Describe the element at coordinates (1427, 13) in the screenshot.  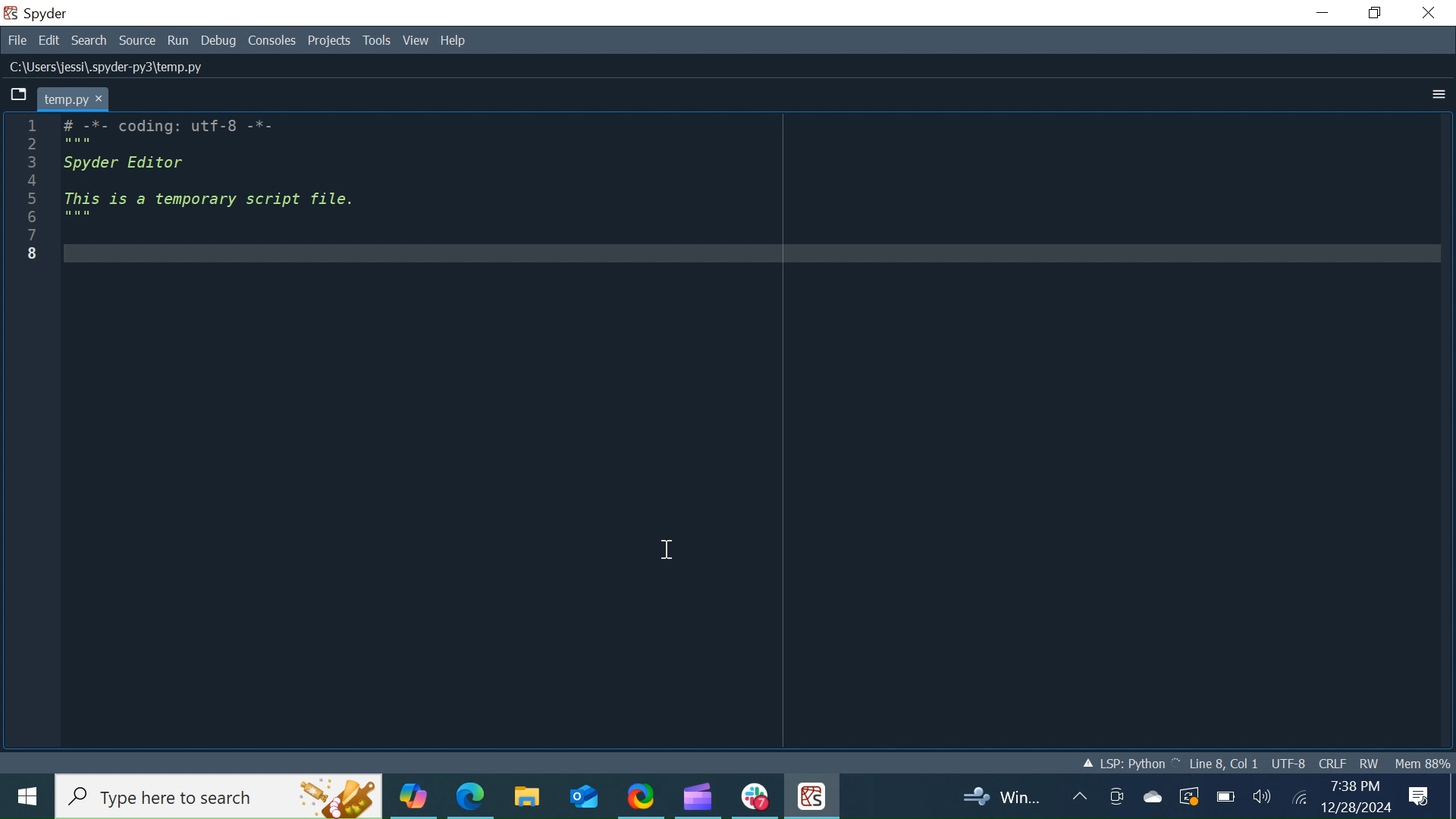
I see `Close` at that location.